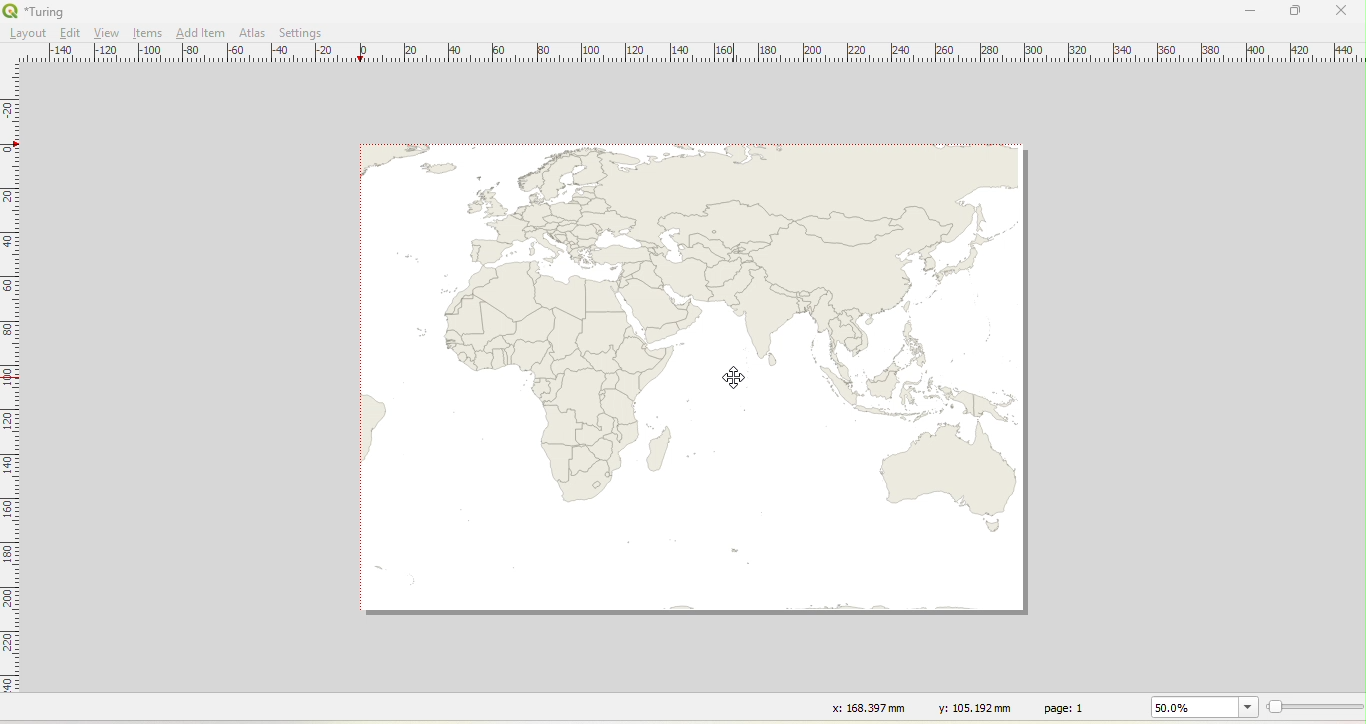 The height and width of the screenshot is (724, 1366). Describe the element at coordinates (1340, 13) in the screenshot. I see `Close` at that location.